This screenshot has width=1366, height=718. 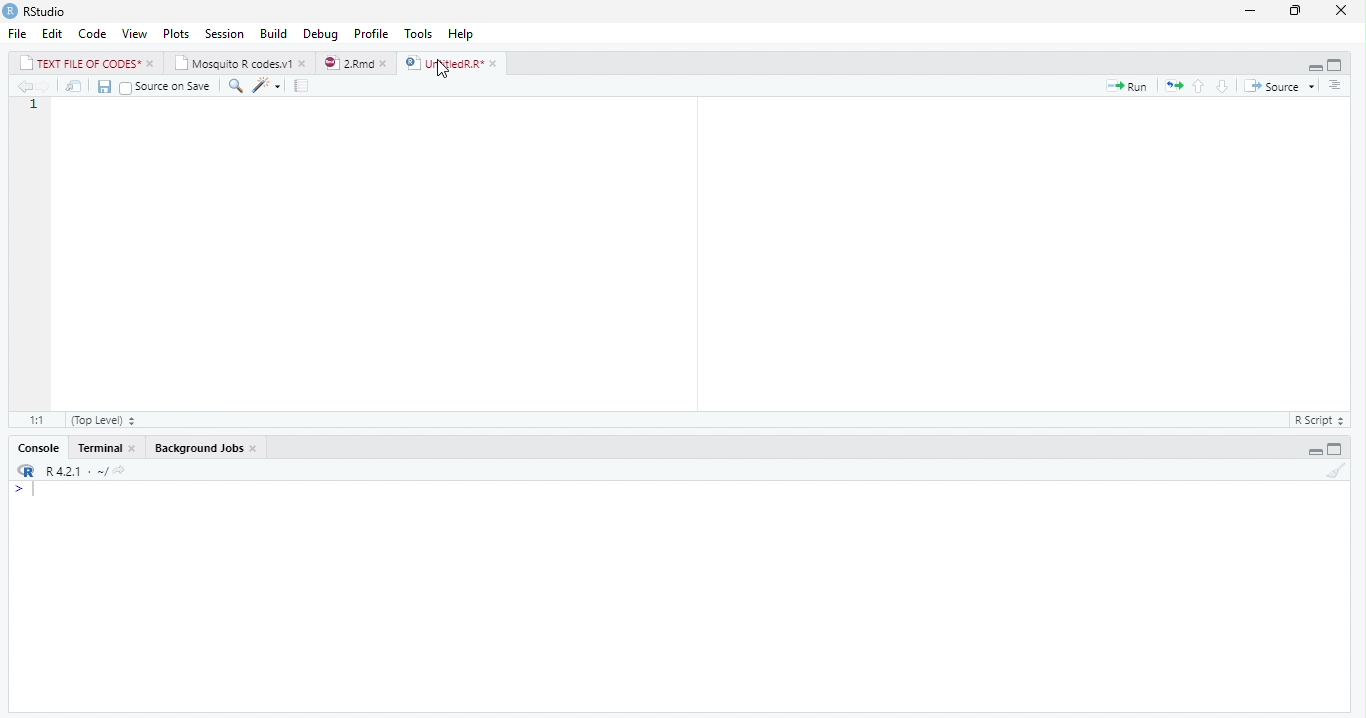 I want to click on Go to previous location, so click(x=23, y=88).